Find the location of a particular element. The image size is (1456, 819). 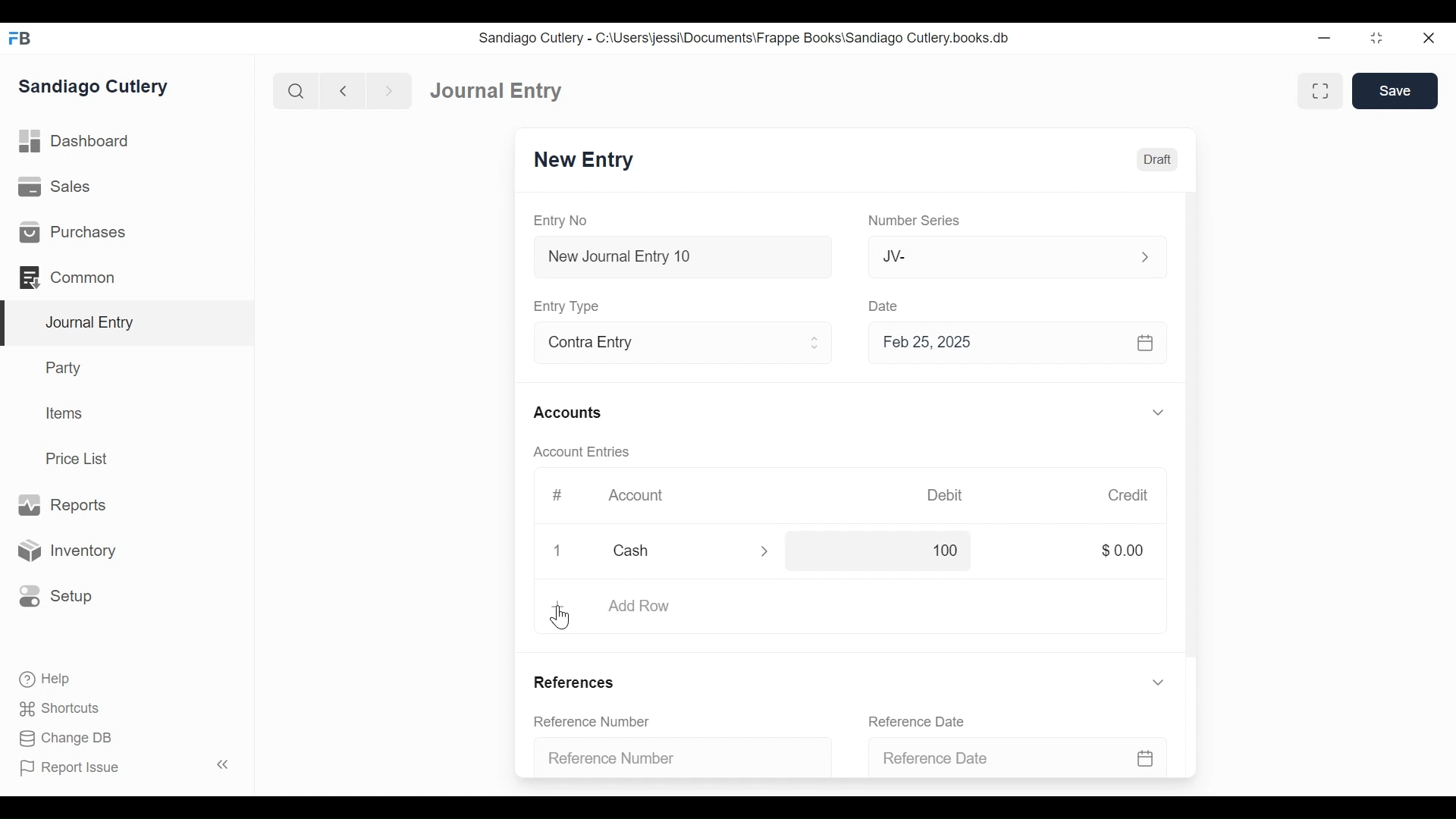

Account Entries is located at coordinates (588, 452).